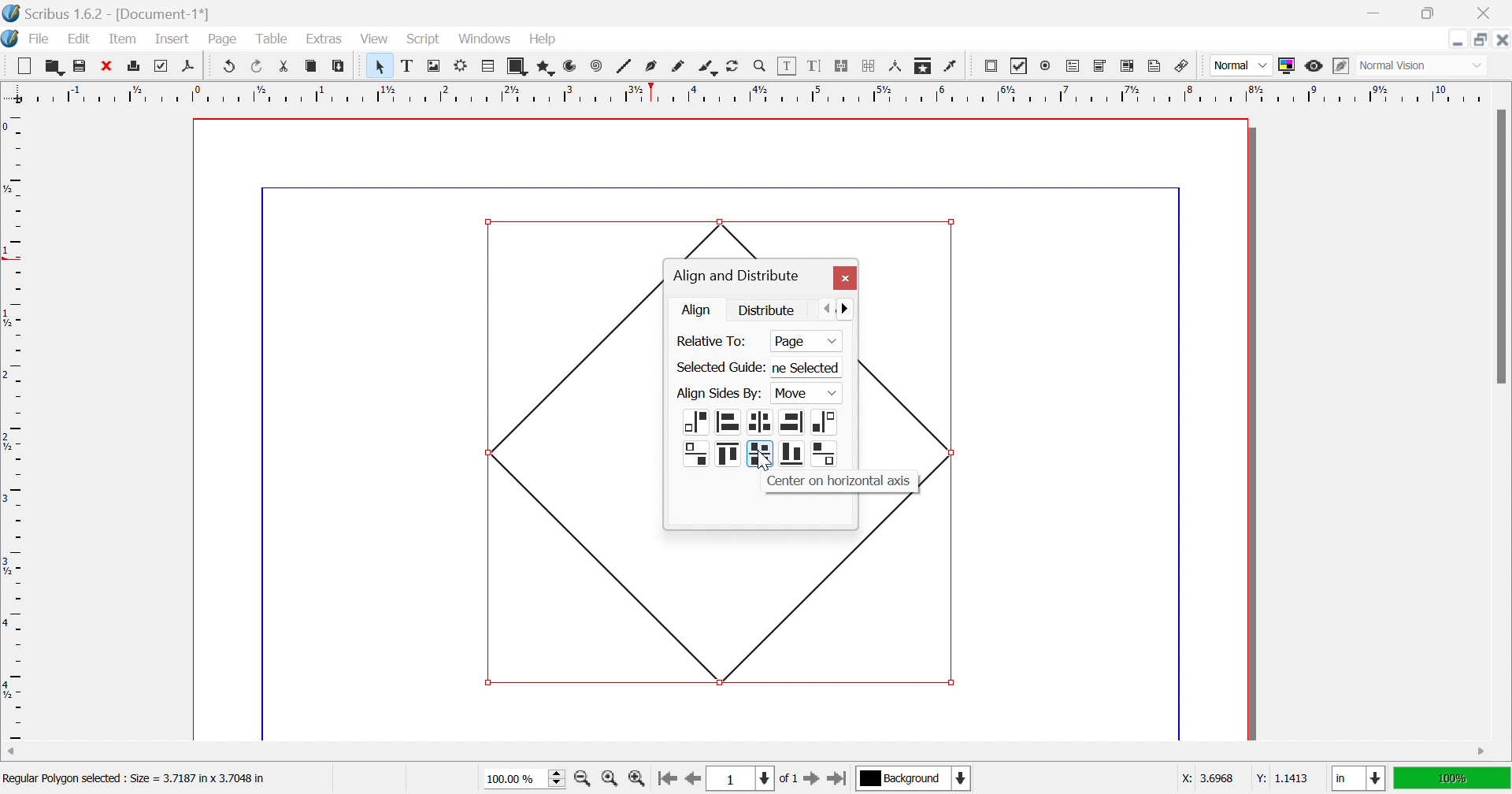 This screenshot has height=794, width=1512. What do you see at coordinates (1048, 64) in the screenshot?
I see `PDF radio button` at bounding box center [1048, 64].